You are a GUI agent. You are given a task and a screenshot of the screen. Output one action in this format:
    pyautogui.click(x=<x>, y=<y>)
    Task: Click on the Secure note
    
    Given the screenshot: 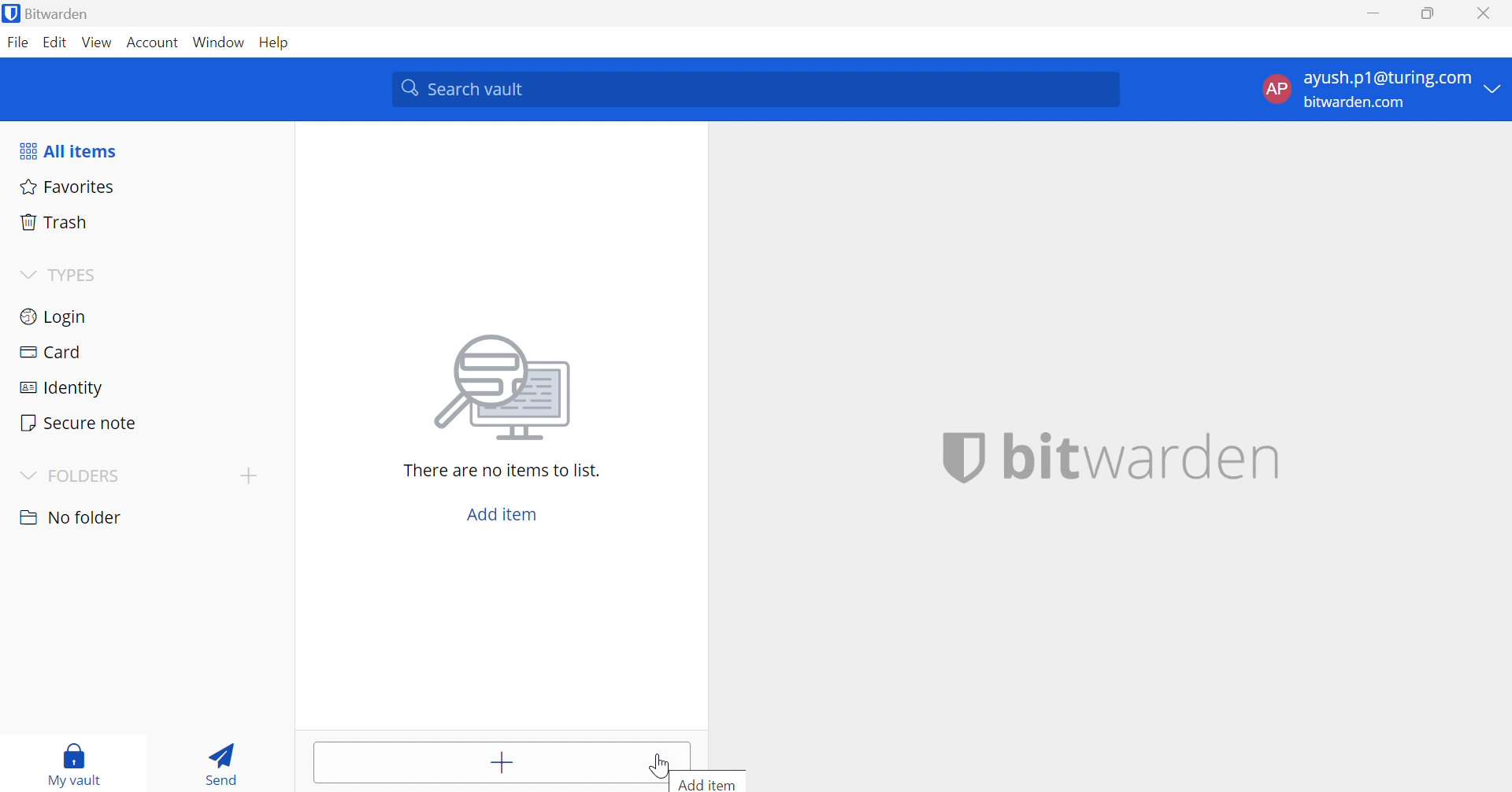 What is the action you would take?
    pyautogui.click(x=143, y=420)
    